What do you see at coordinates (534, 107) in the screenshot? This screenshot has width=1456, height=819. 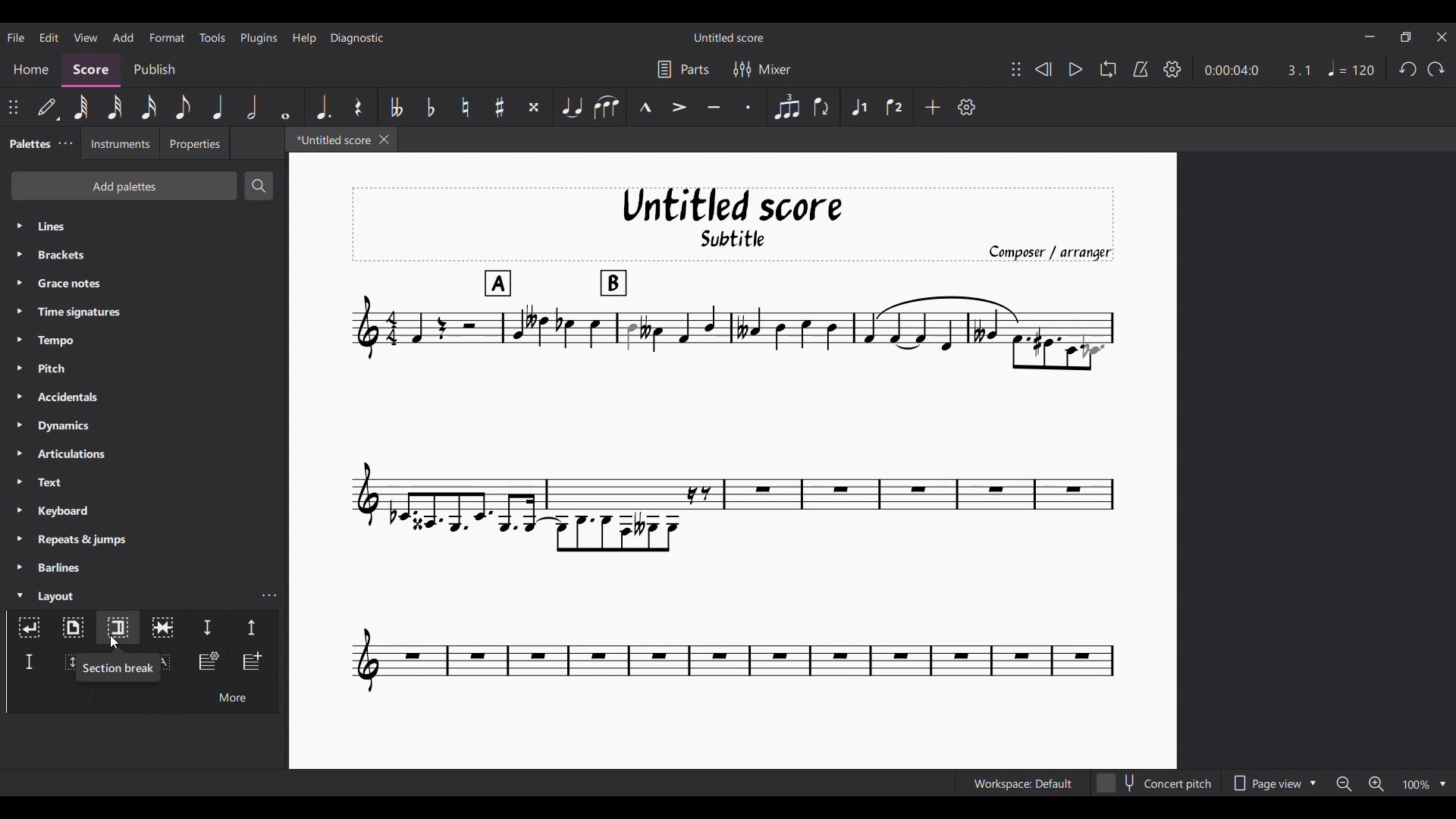 I see `Toggle double sharp` at bounding box center [534, 107].